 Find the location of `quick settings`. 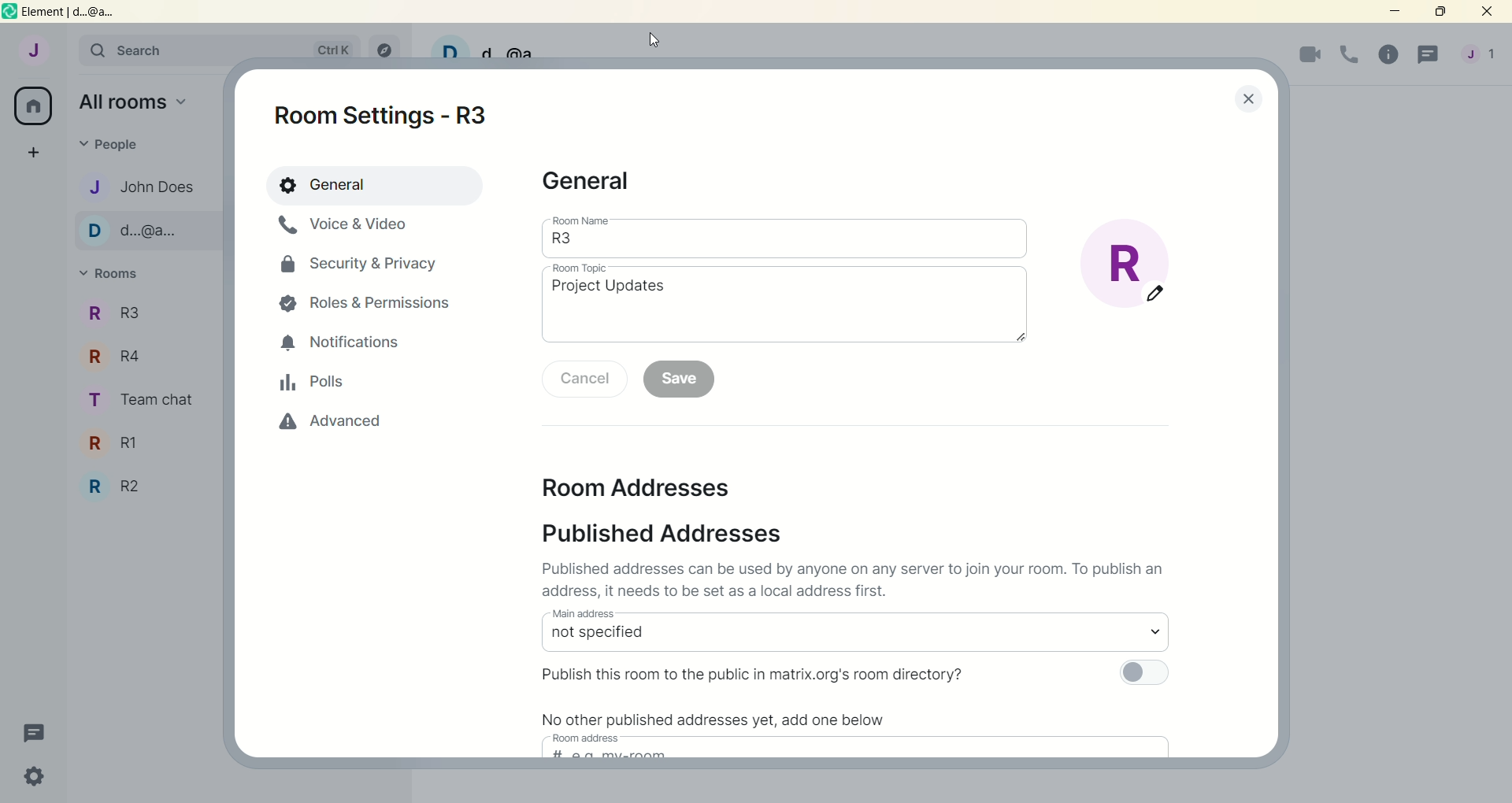

quick settings is located at coordinates (39, 778).